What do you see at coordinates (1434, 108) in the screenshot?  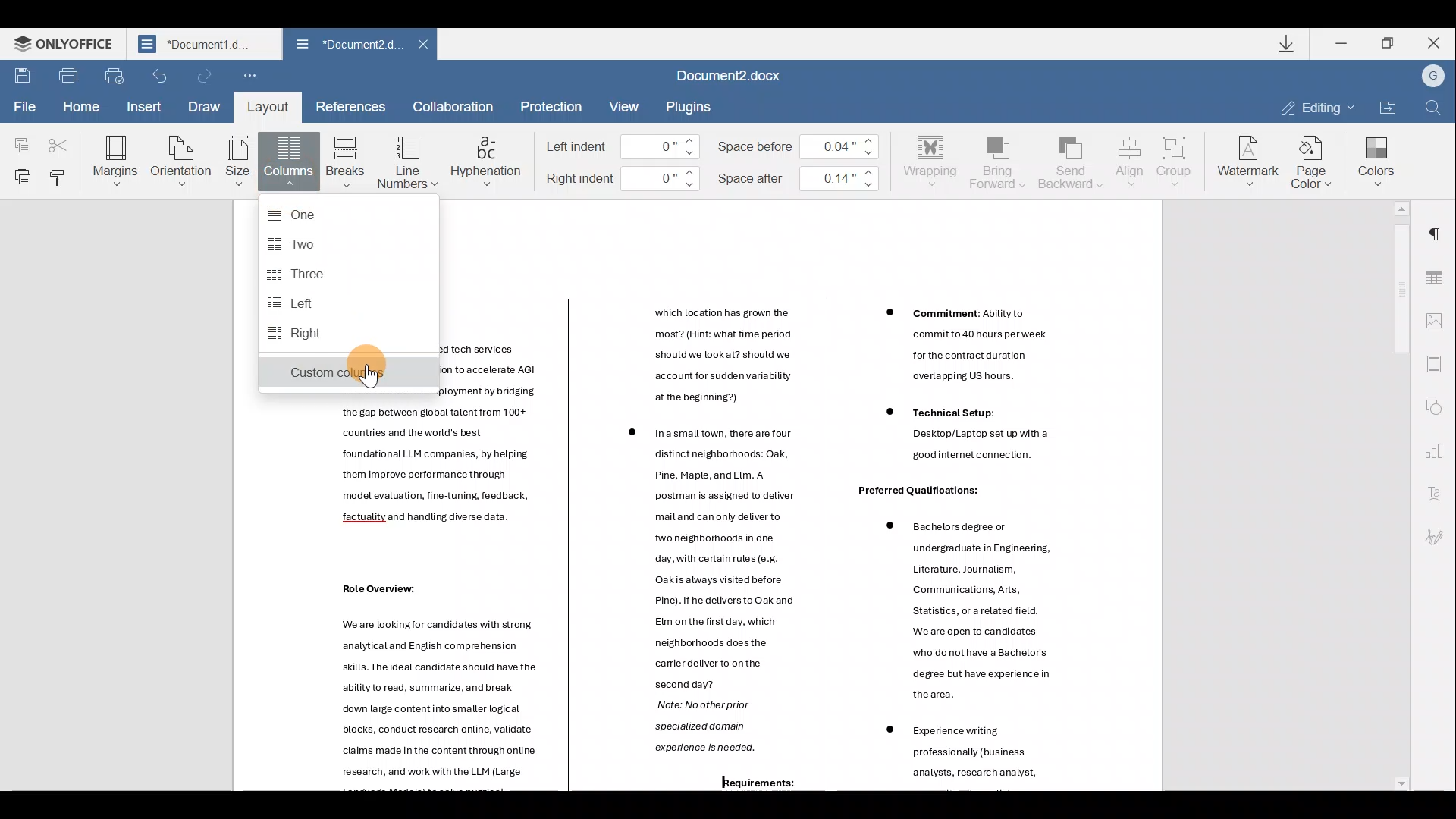 I see `Find` at bounding box center [1434, 108].